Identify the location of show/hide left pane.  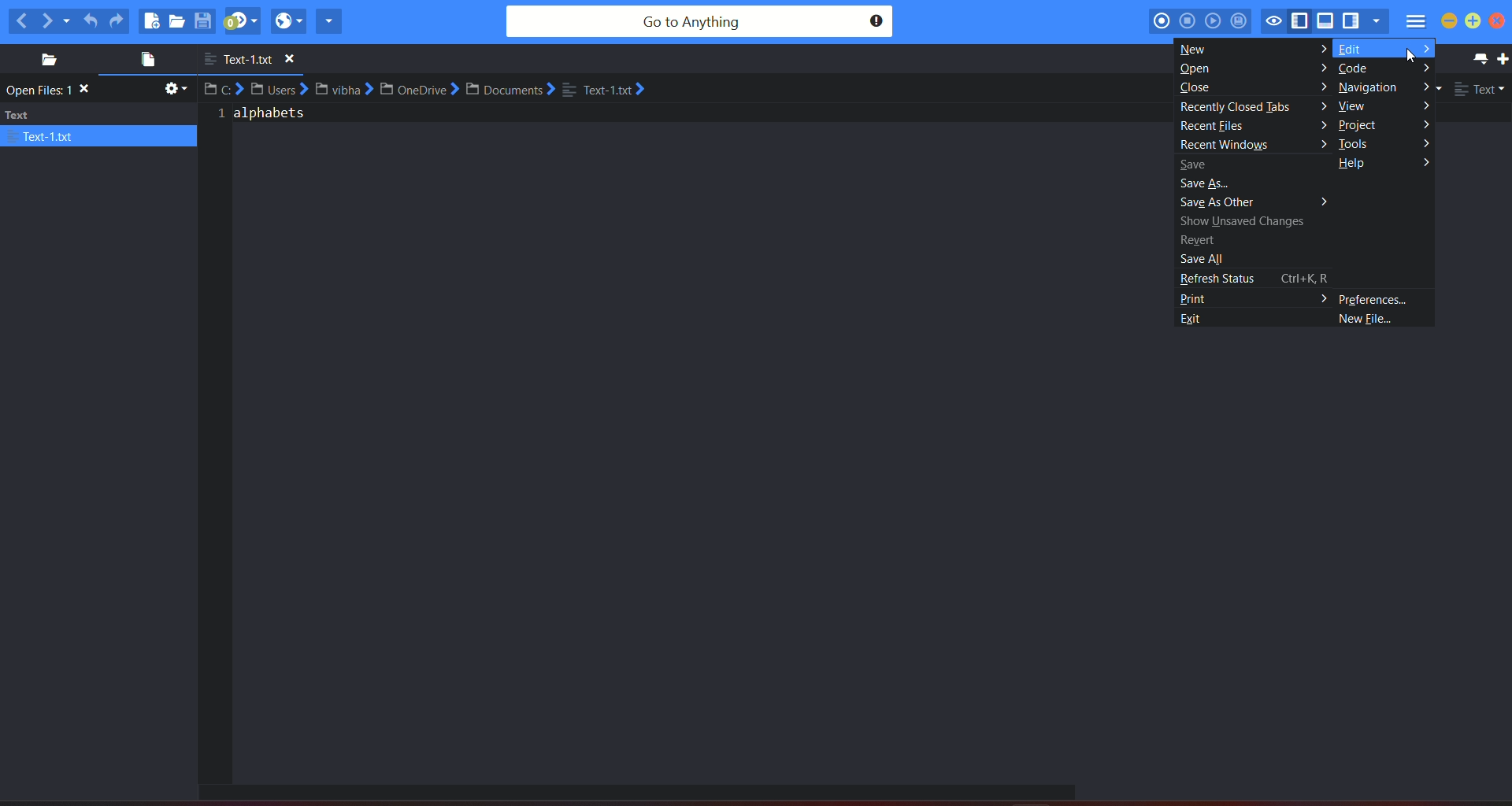
(1300, 21).